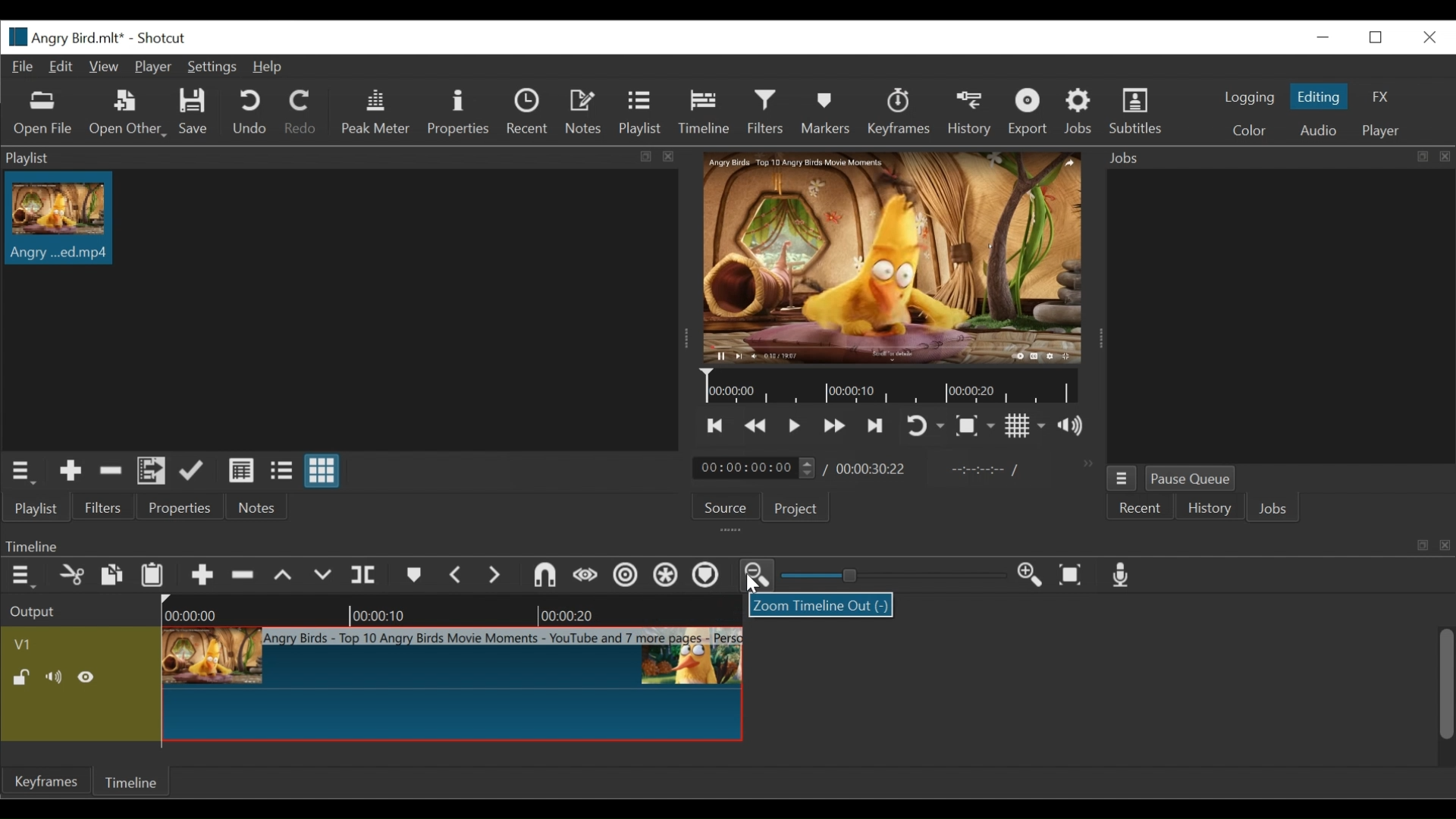  I want to click on Markers, so click(827, 111).